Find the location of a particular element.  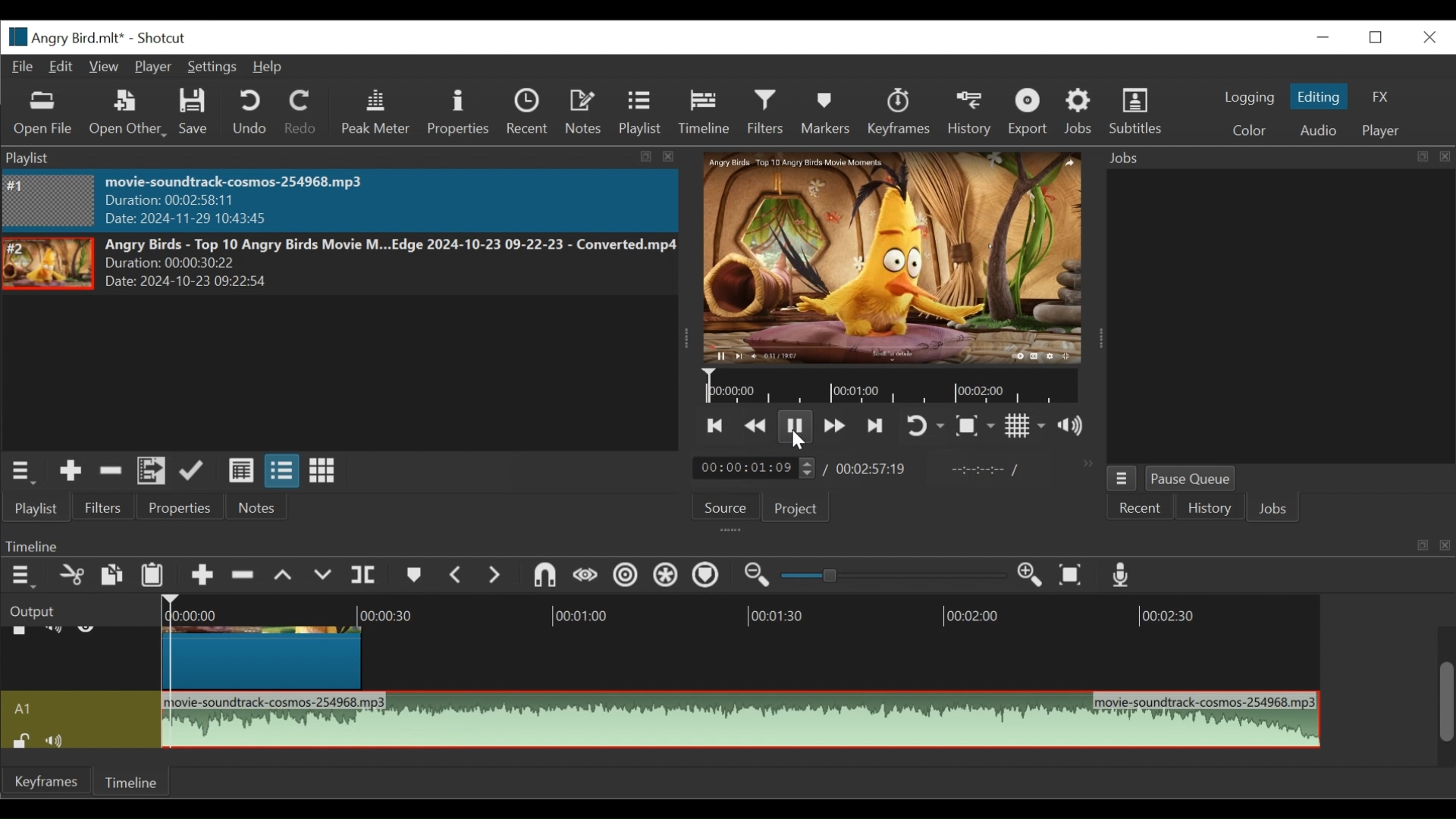

Play quickly backward is located at coordinates (758, 426).